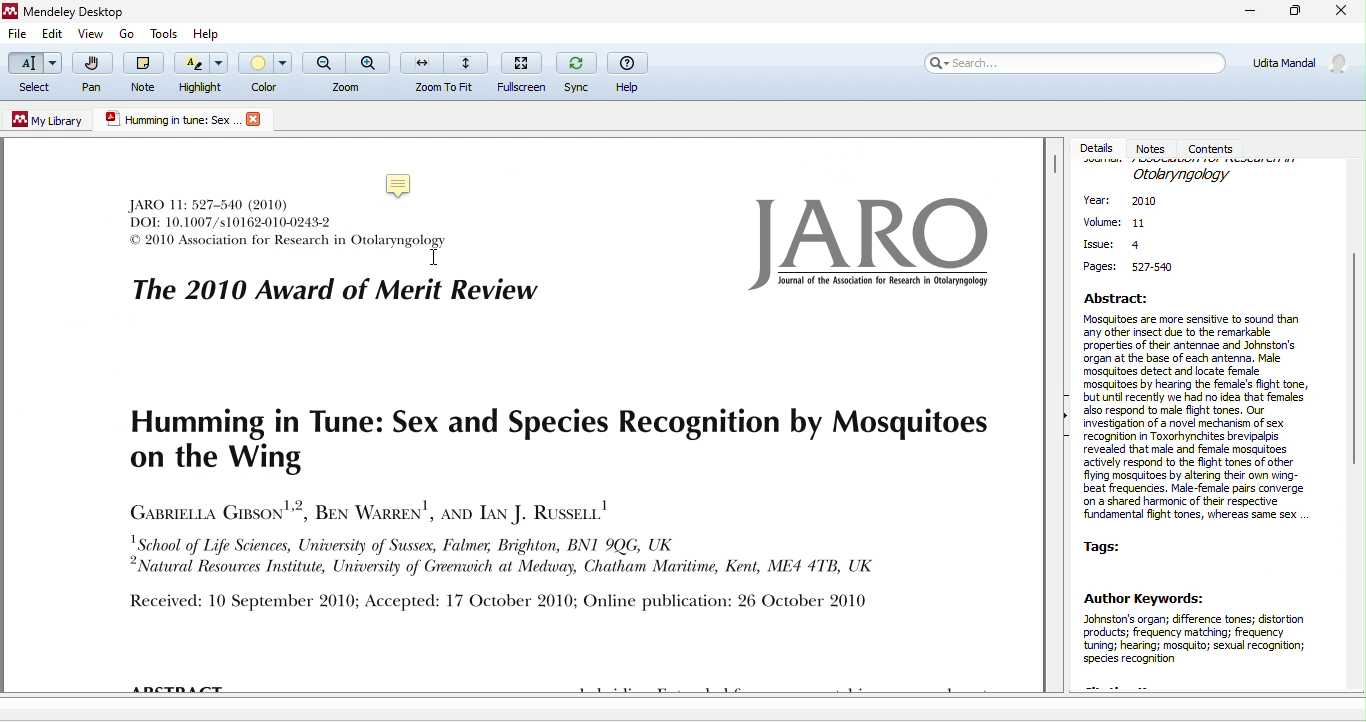  I want to click on year:2010, so click(1133, 203).